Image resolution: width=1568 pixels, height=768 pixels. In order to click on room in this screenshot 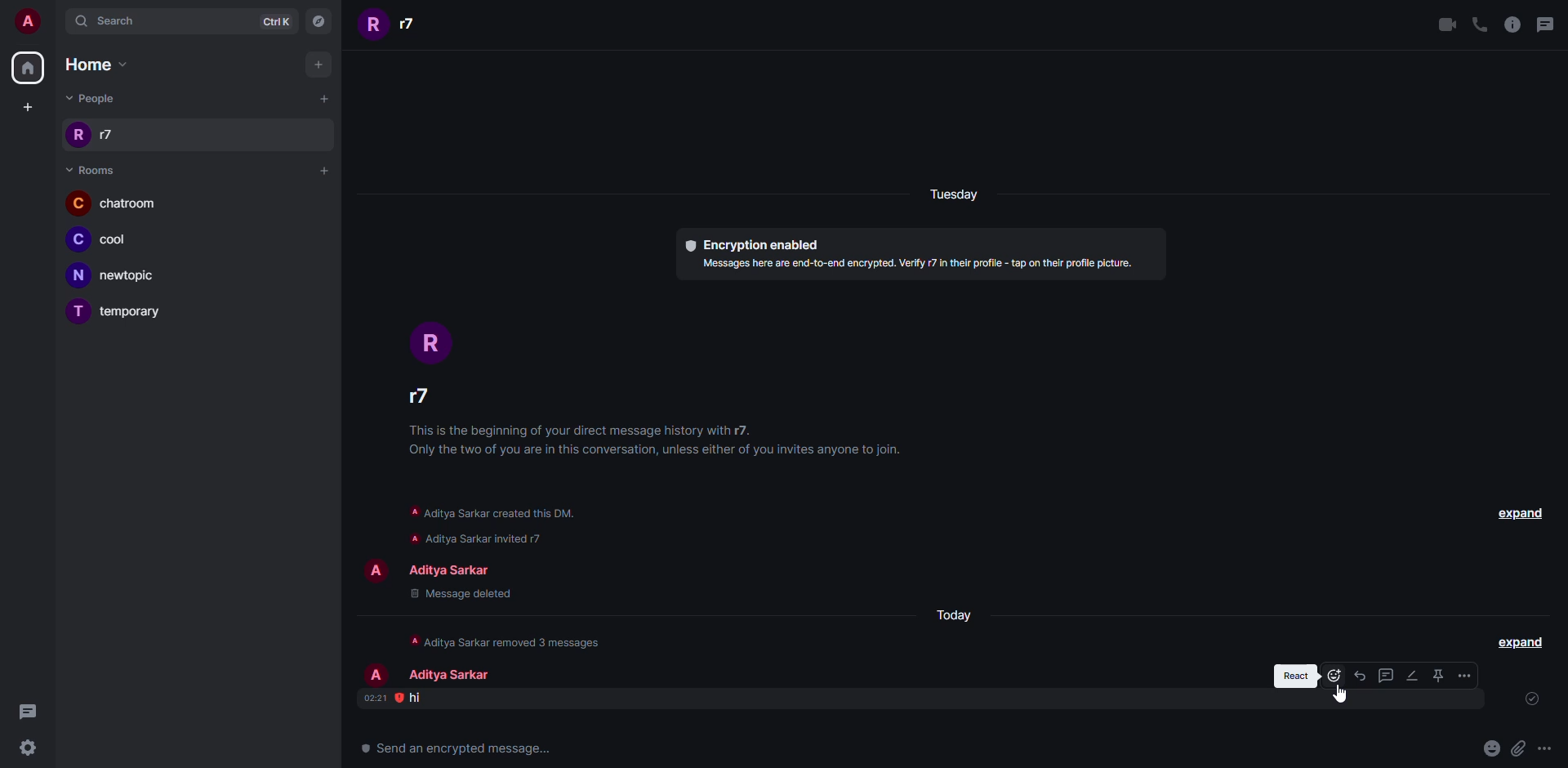, I will do `click(114, 203)`.